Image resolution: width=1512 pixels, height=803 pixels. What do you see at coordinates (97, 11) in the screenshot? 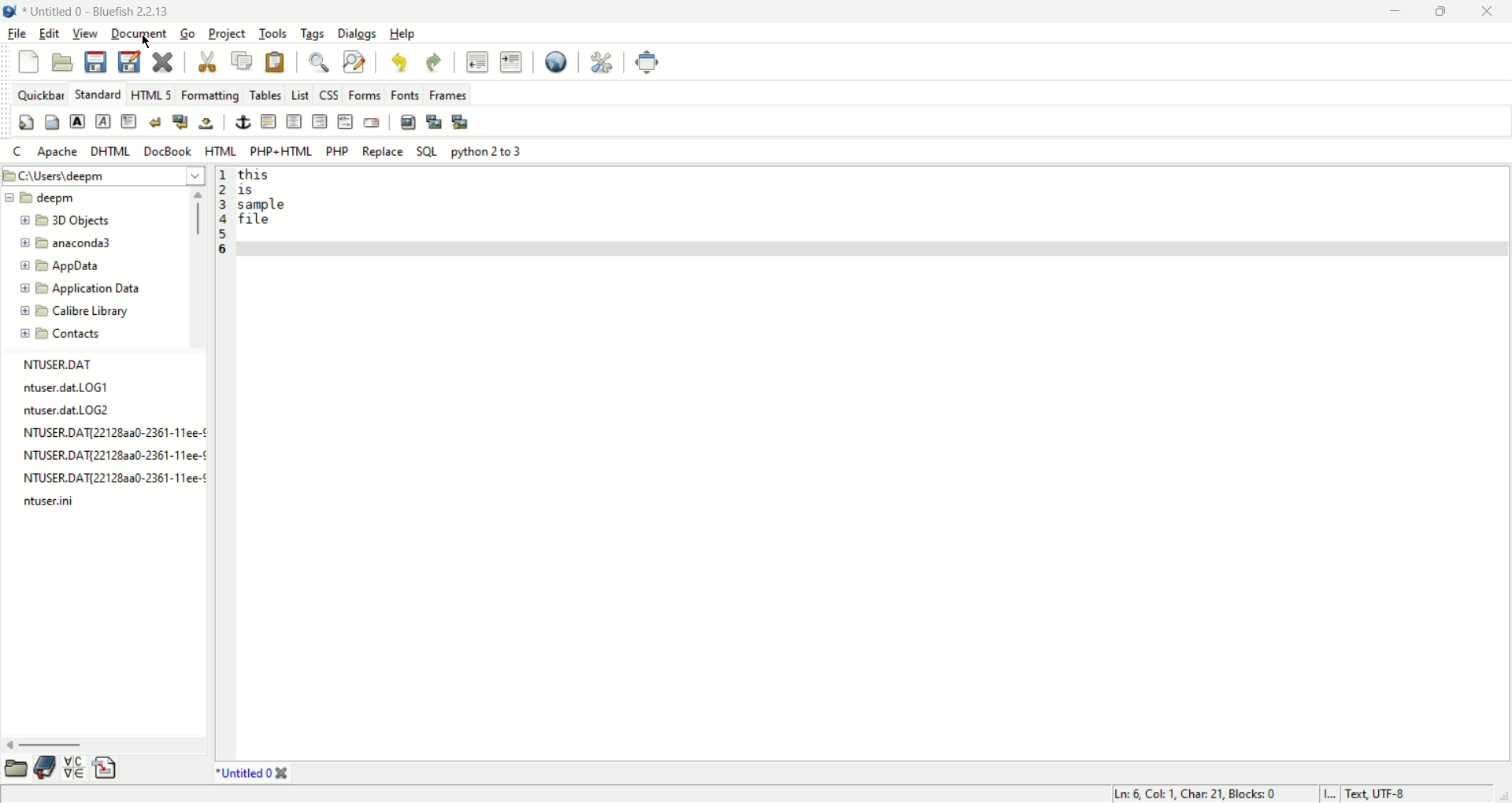
I see `title` at bounding box center [97, 11].